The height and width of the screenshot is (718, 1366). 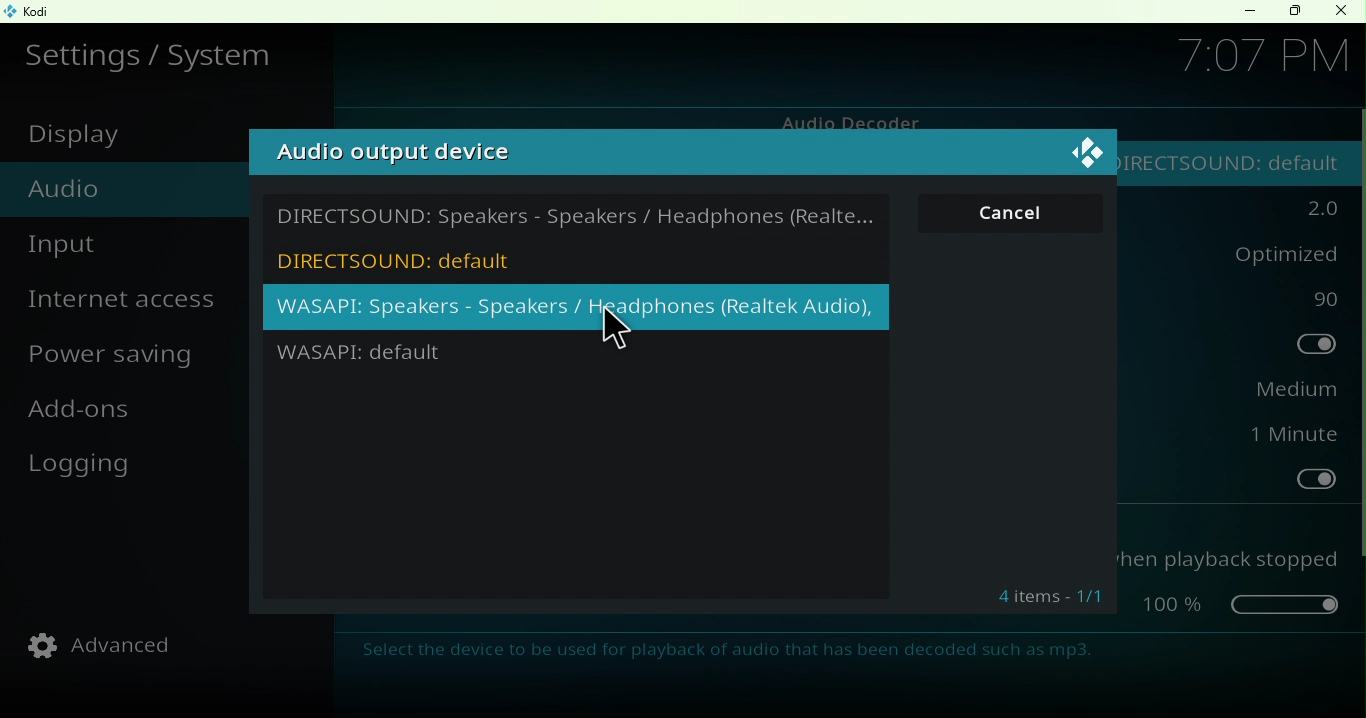 I want to click on WASAPI: default, so click(x=361, y=360).